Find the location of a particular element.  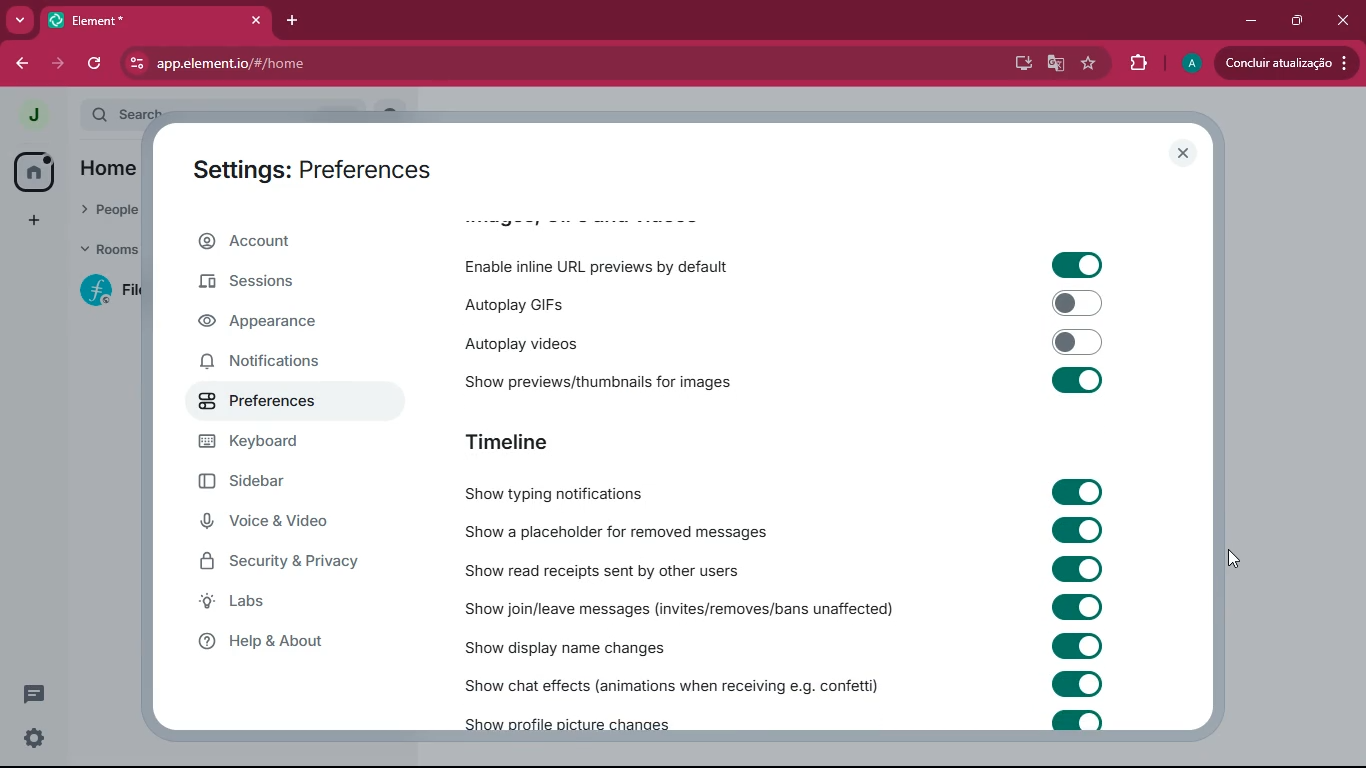

app.element.io/#/home is located at coordinates (390, 64).